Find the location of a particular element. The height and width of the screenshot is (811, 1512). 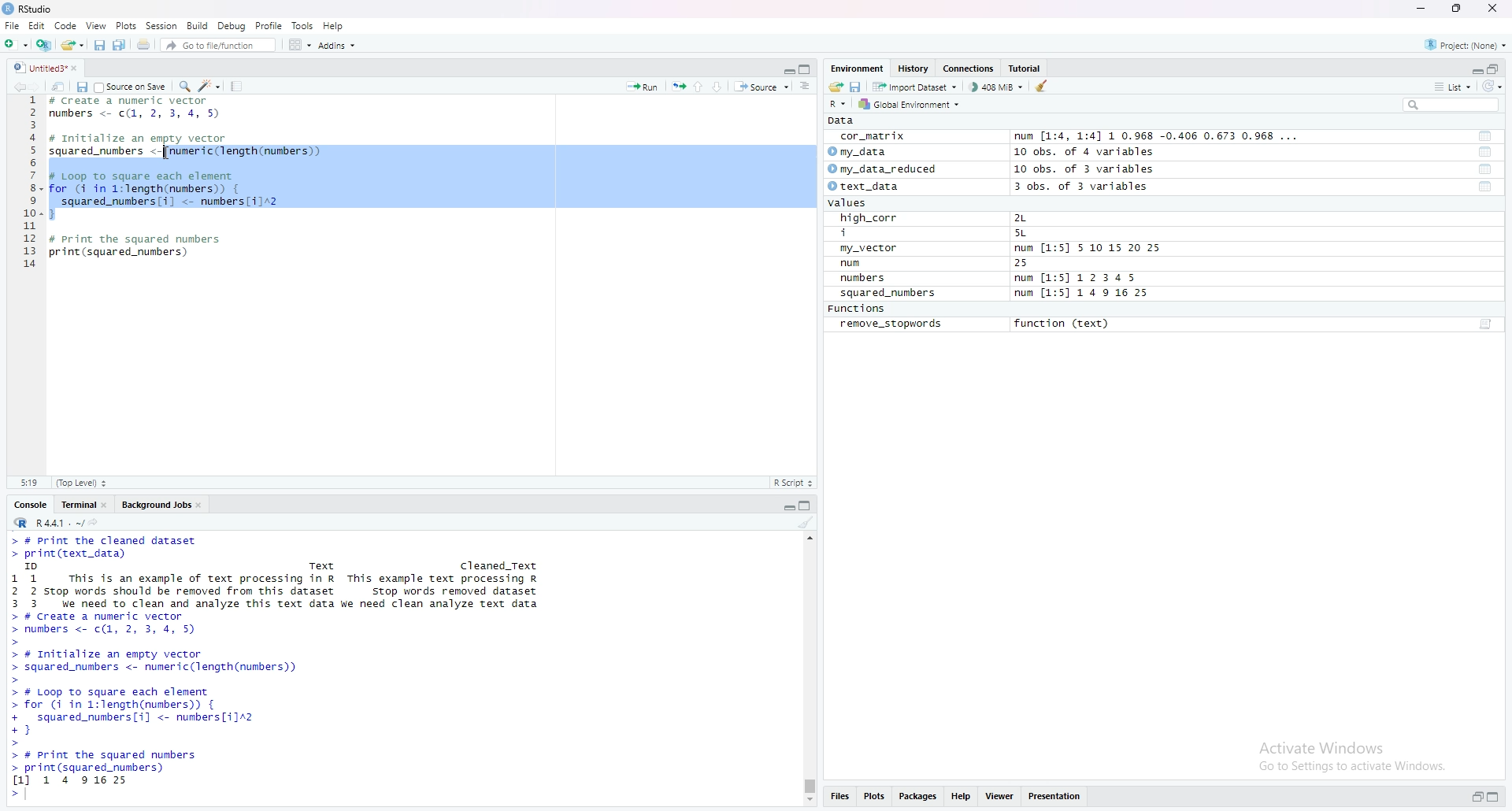

File is located at coordinates (12, 25).